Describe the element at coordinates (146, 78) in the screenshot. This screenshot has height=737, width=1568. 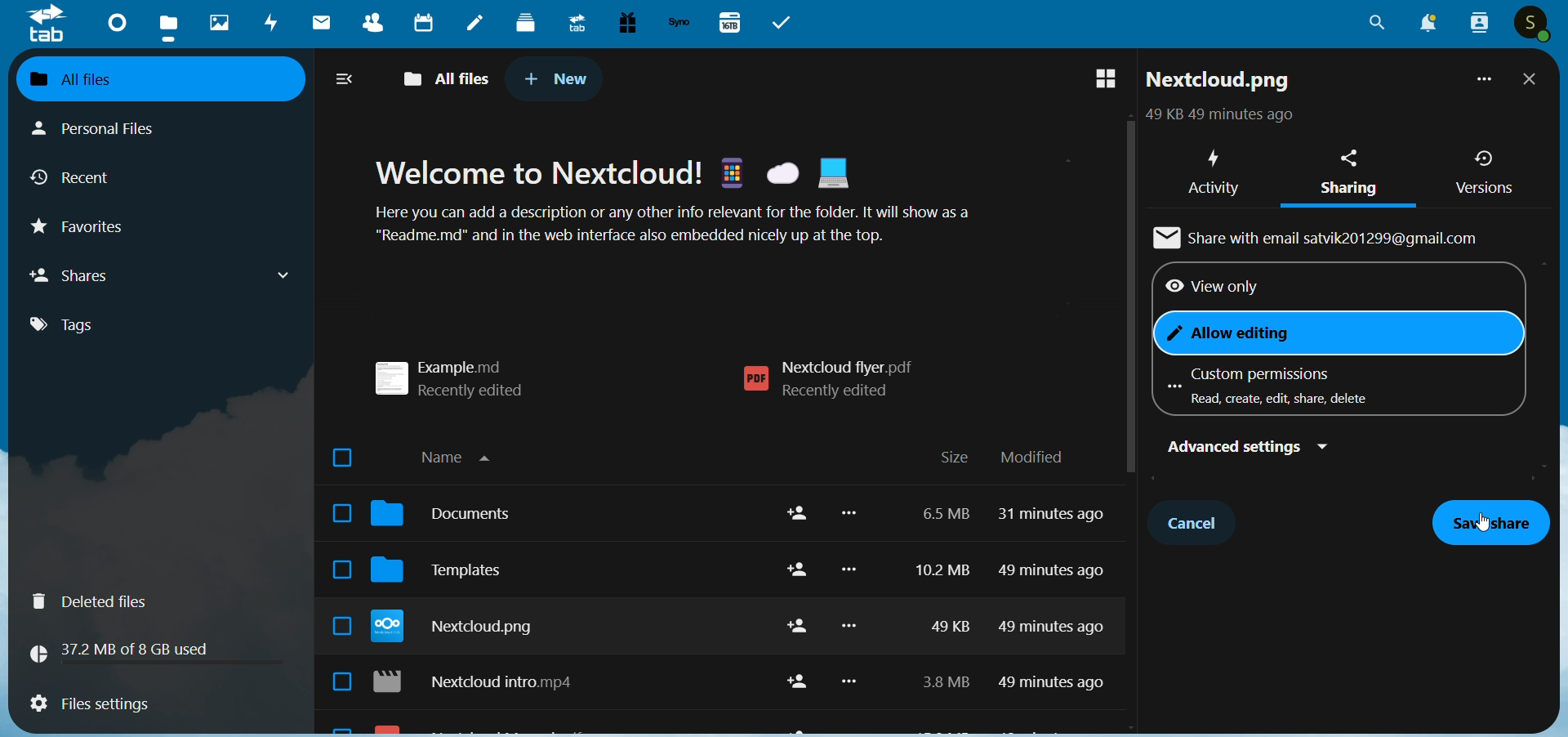
I see `all files` at that location.